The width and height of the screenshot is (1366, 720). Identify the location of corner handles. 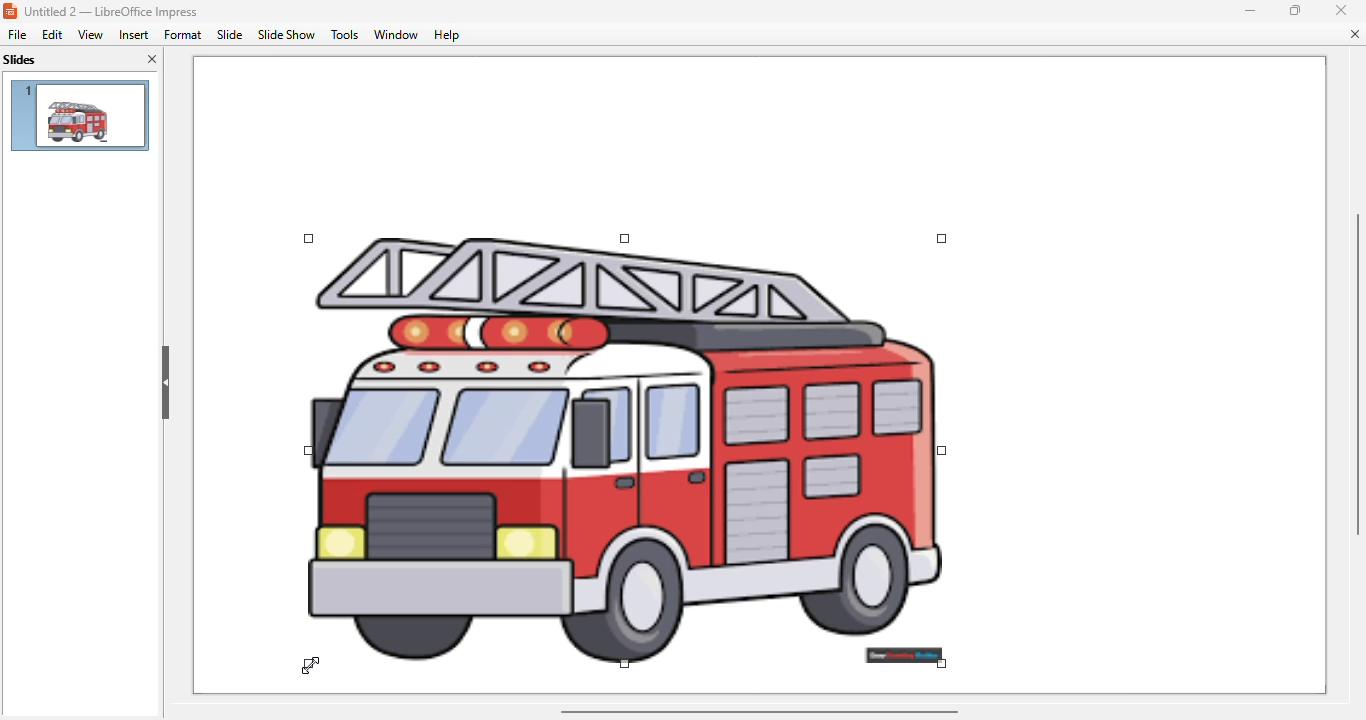
(941, 662).